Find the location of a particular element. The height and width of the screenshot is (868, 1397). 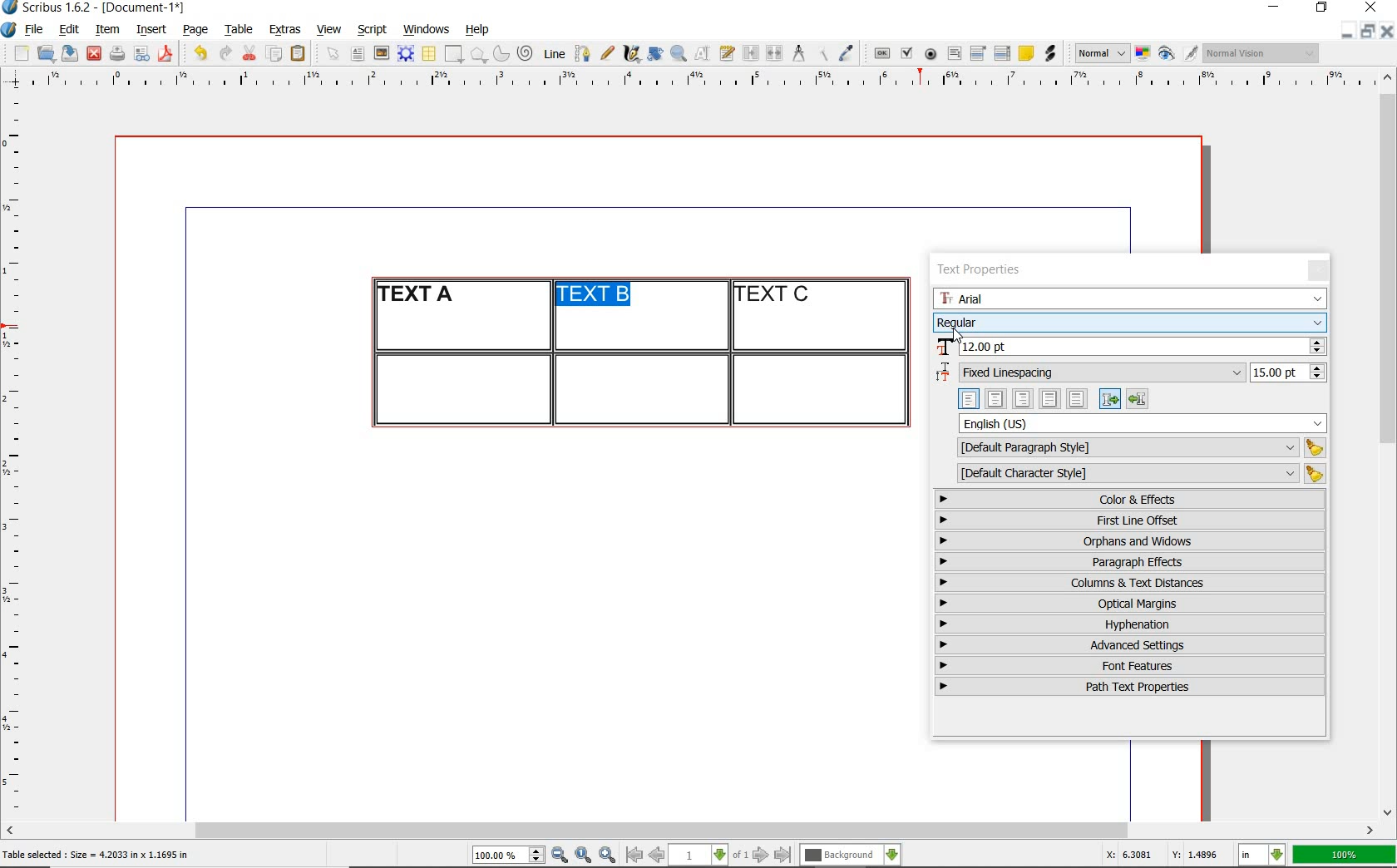

system logo is located at coordinates (10, 30).